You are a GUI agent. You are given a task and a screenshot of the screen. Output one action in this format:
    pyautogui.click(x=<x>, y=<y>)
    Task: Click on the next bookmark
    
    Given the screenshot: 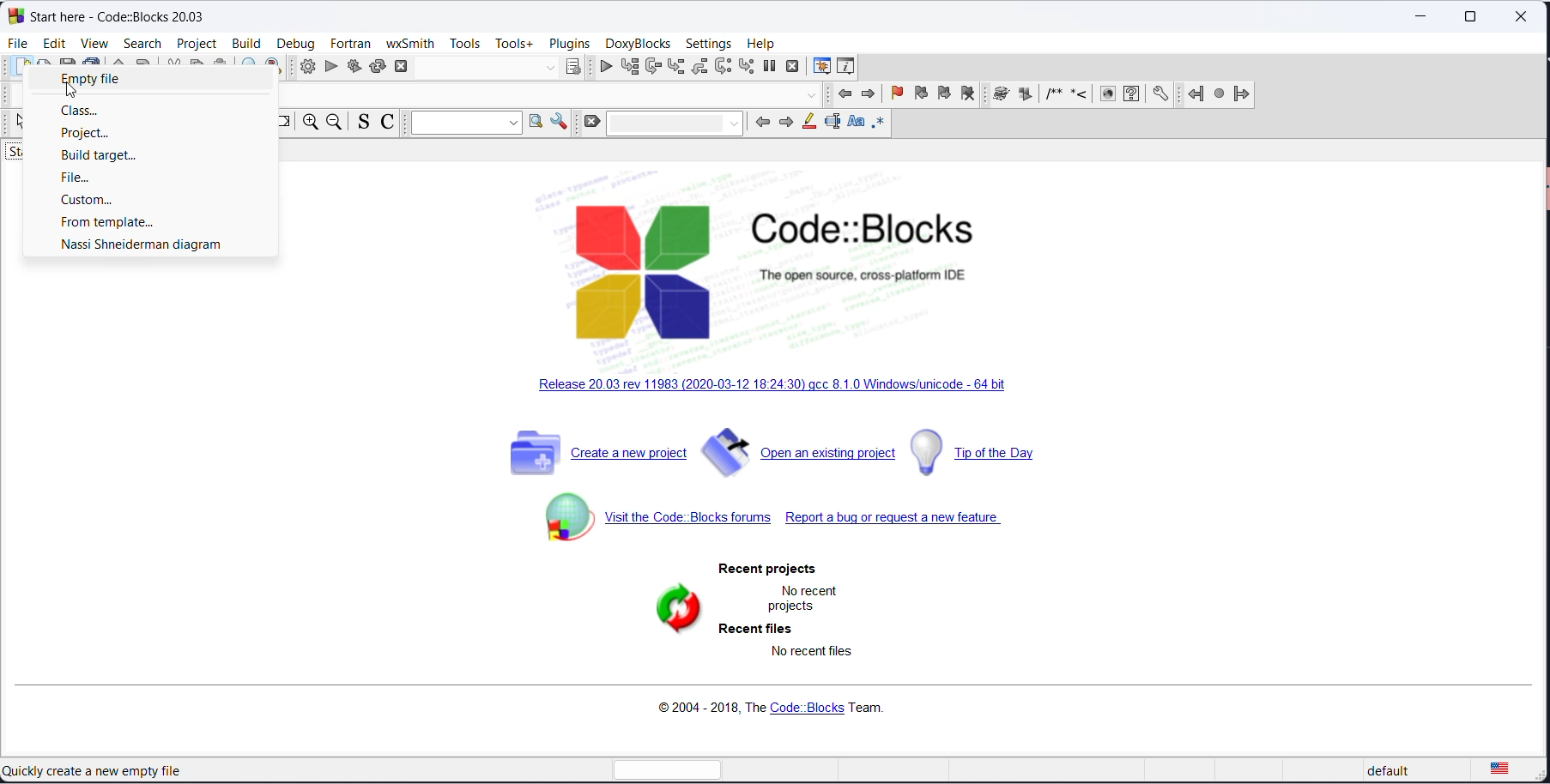 What is the action you would take?
    pyautogui.click(x=944, y=94)
    